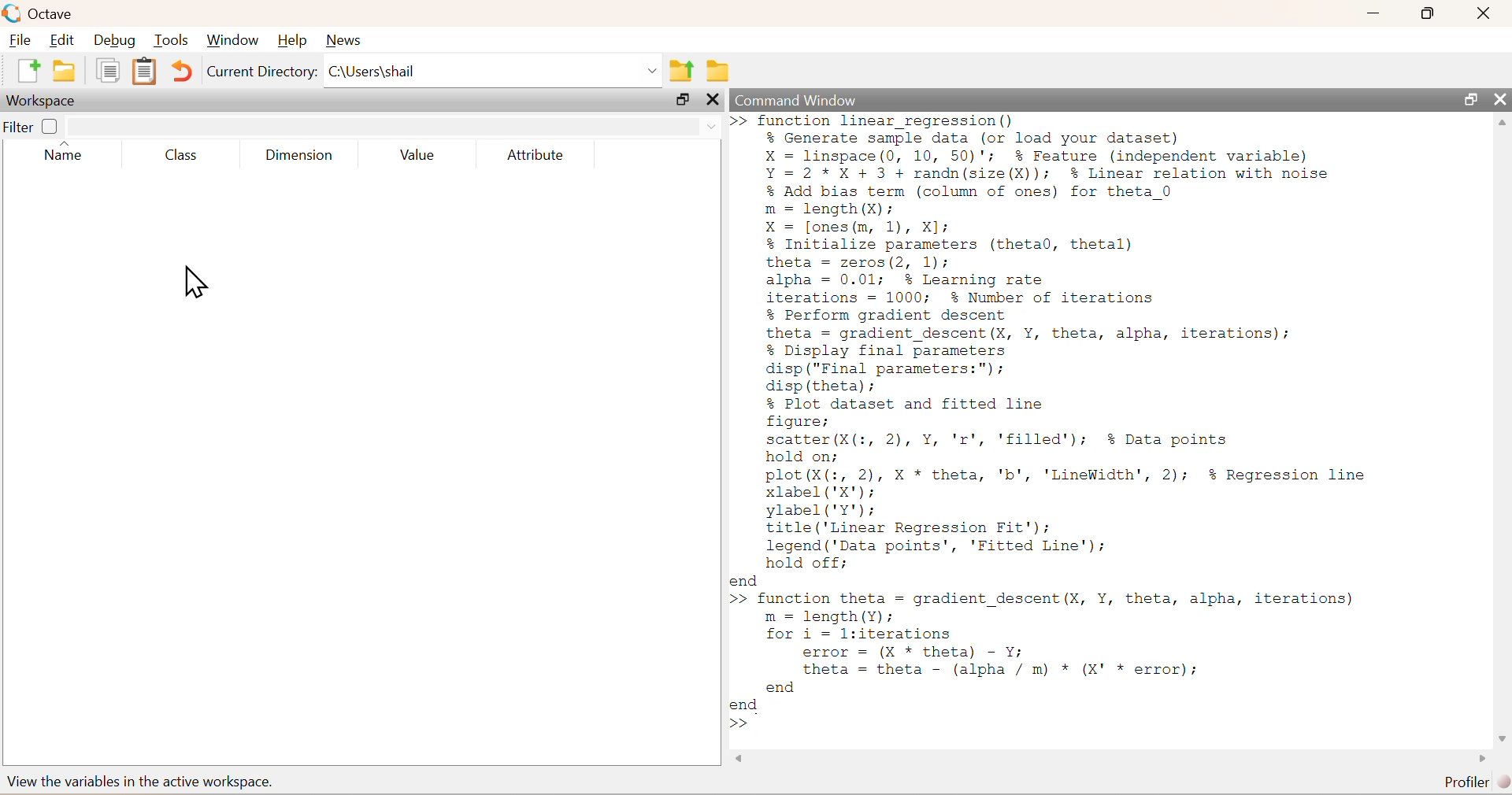 The width and height of the screenshot is (1512, 795). Describe the element at coordinates (52, 14) in the screenshot. I see `Octave` at that location.